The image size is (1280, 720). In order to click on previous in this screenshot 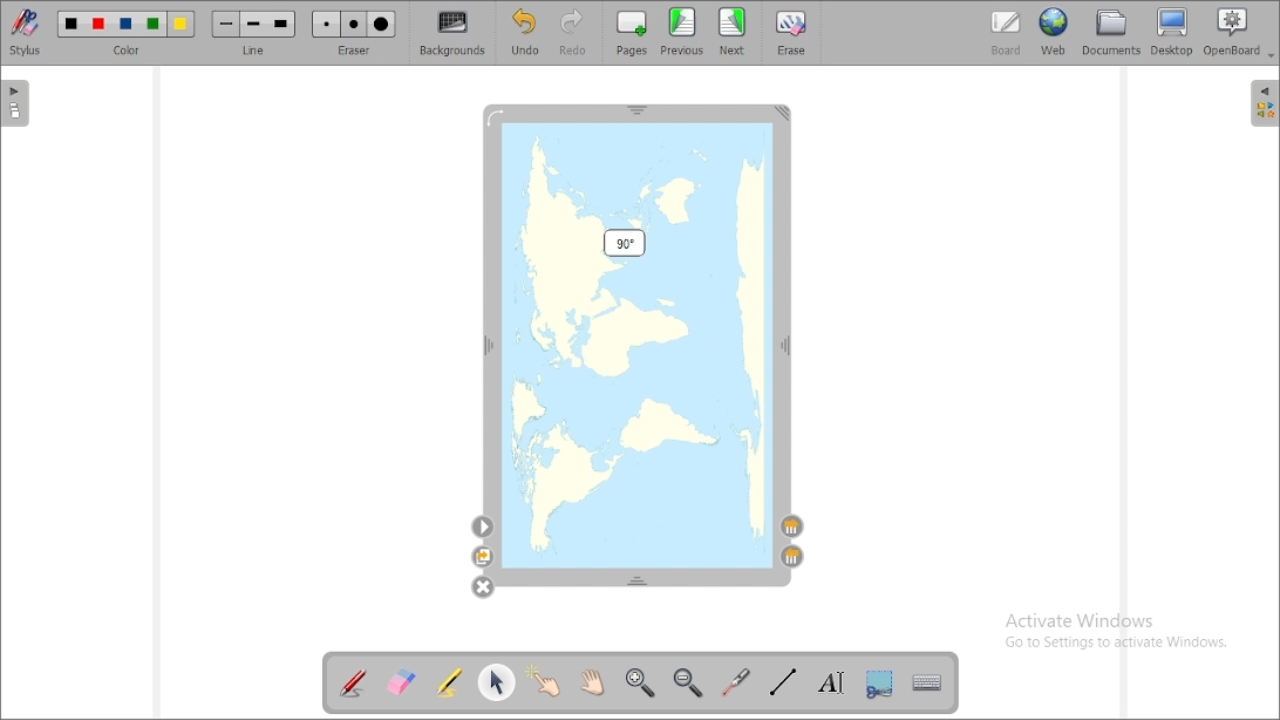, I will do `click(682, 31)`.